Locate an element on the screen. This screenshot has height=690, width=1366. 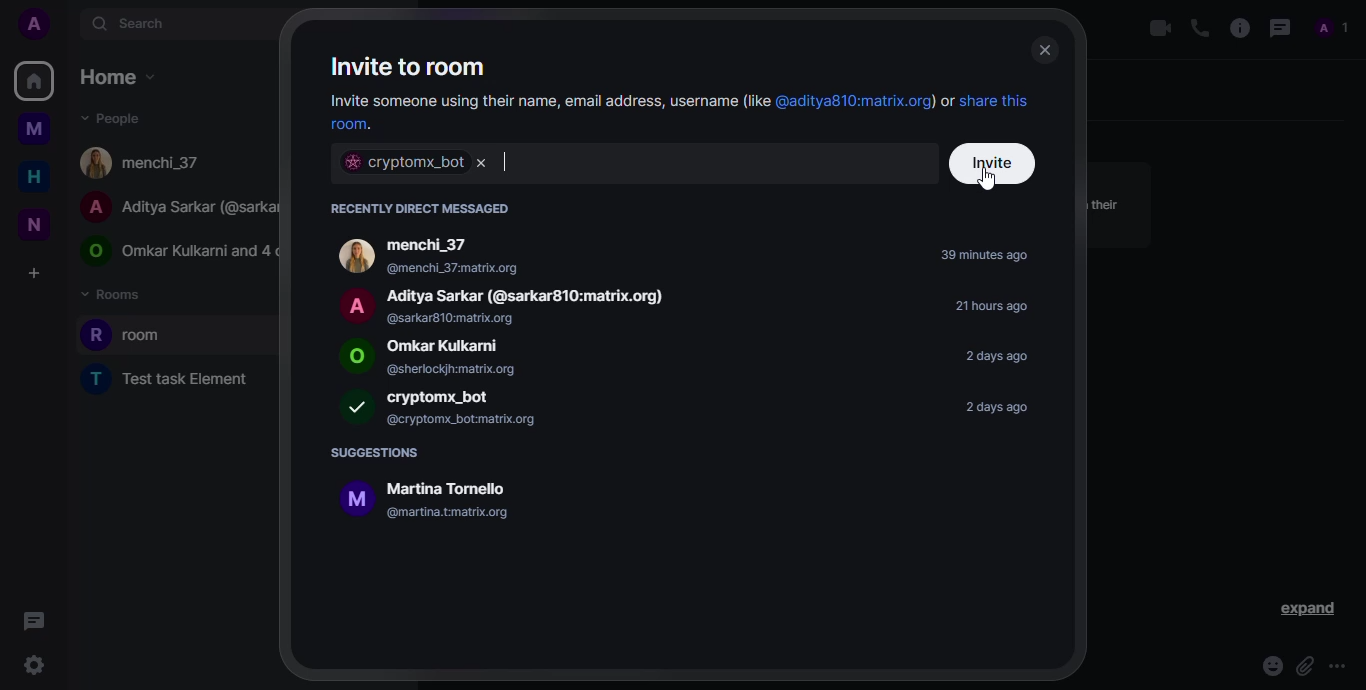
emoji is located at coordinates (1273, 665).